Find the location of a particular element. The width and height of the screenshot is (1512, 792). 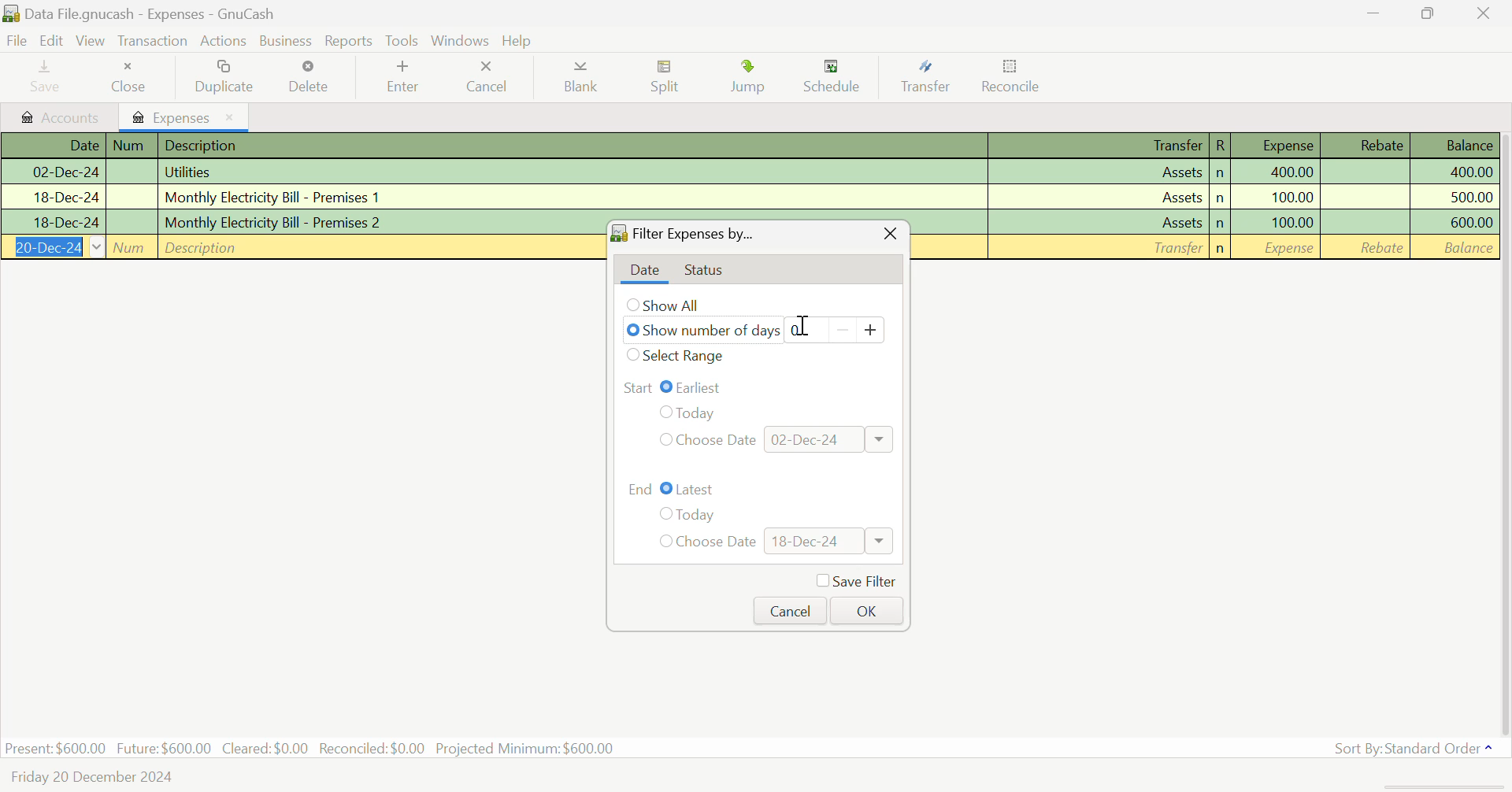

Num is located at coordinates (131, 222).